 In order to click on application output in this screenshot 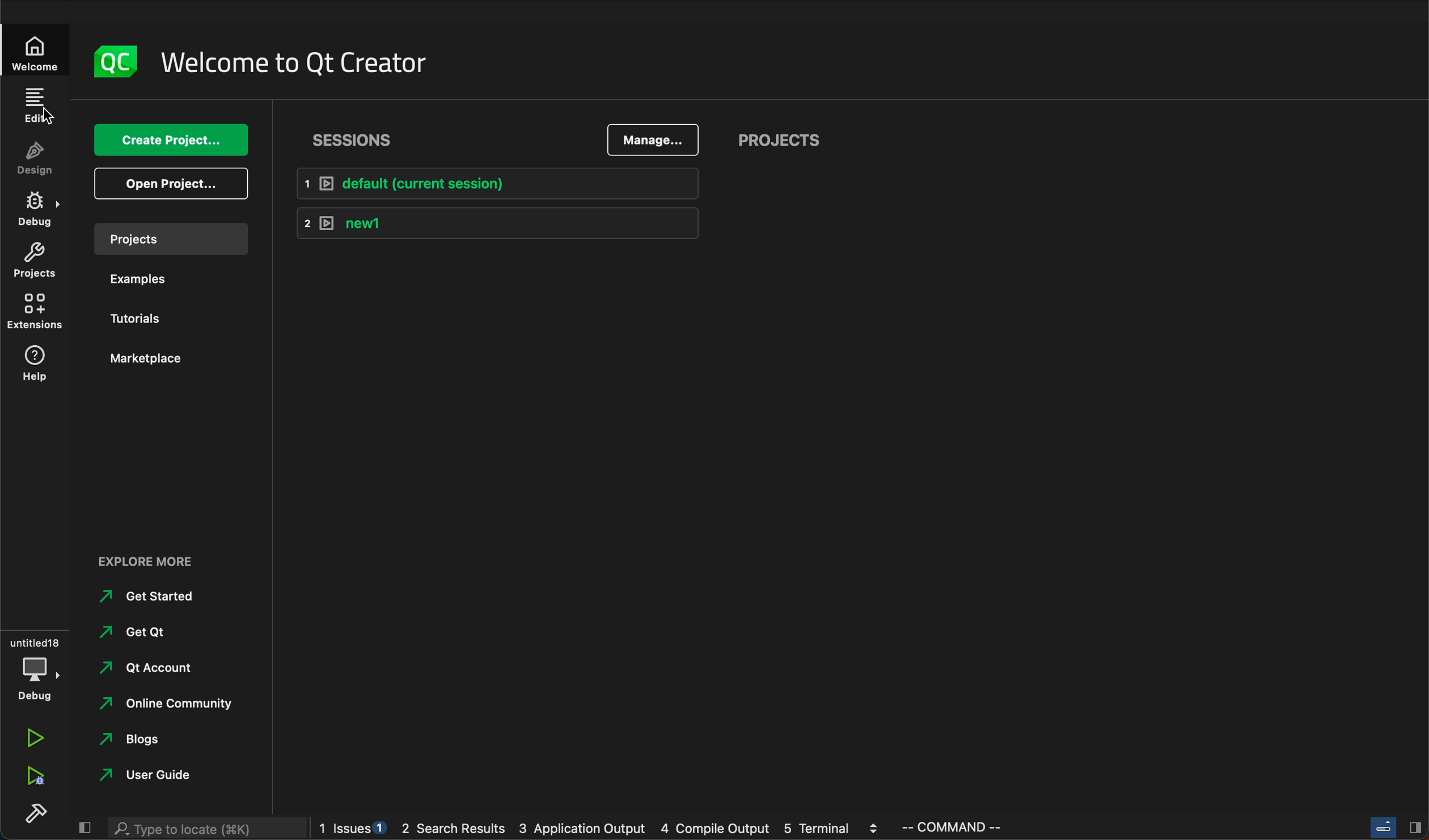, I will do `click(582, 830)`.